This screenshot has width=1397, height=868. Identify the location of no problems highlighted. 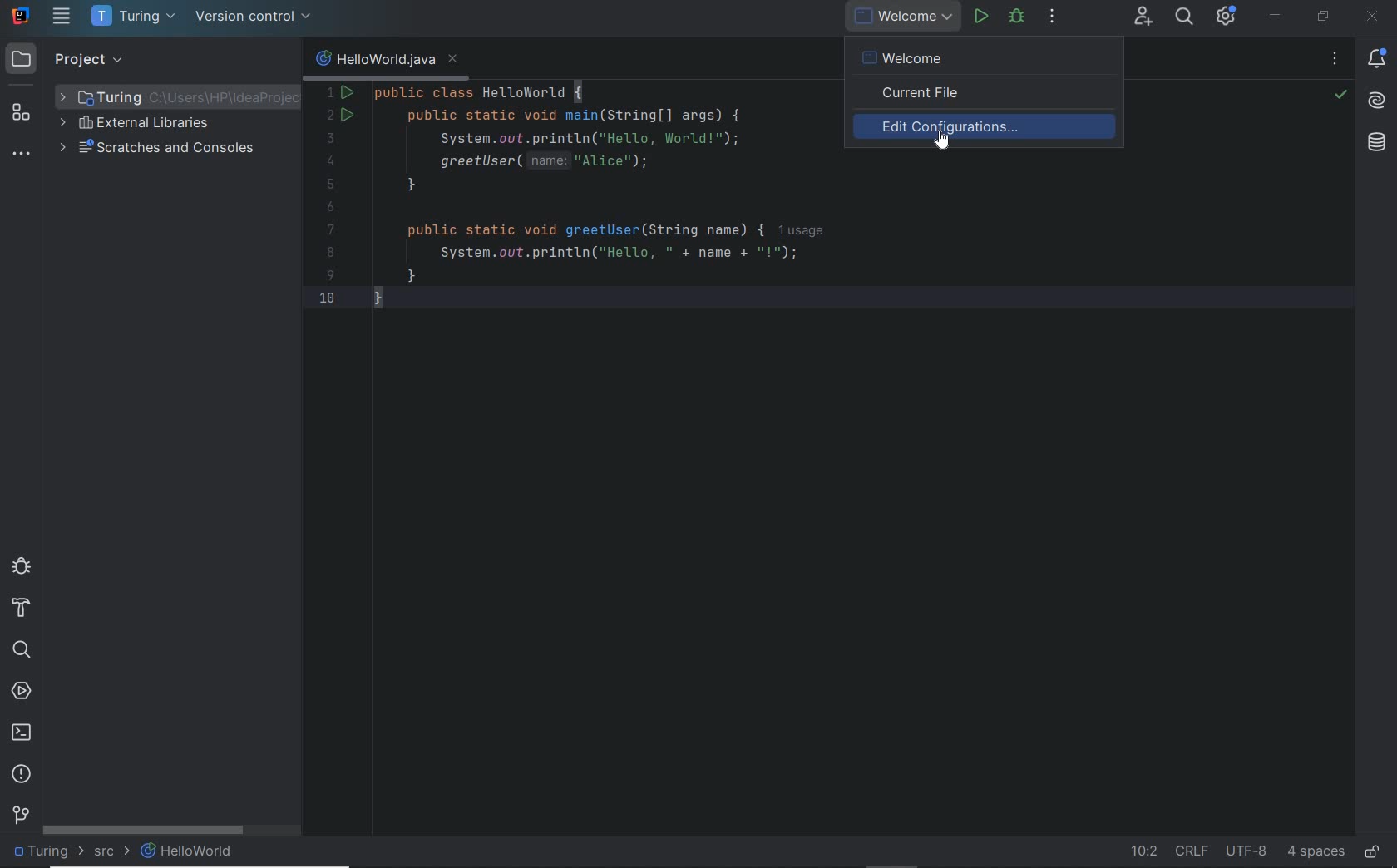
(1340, 95).